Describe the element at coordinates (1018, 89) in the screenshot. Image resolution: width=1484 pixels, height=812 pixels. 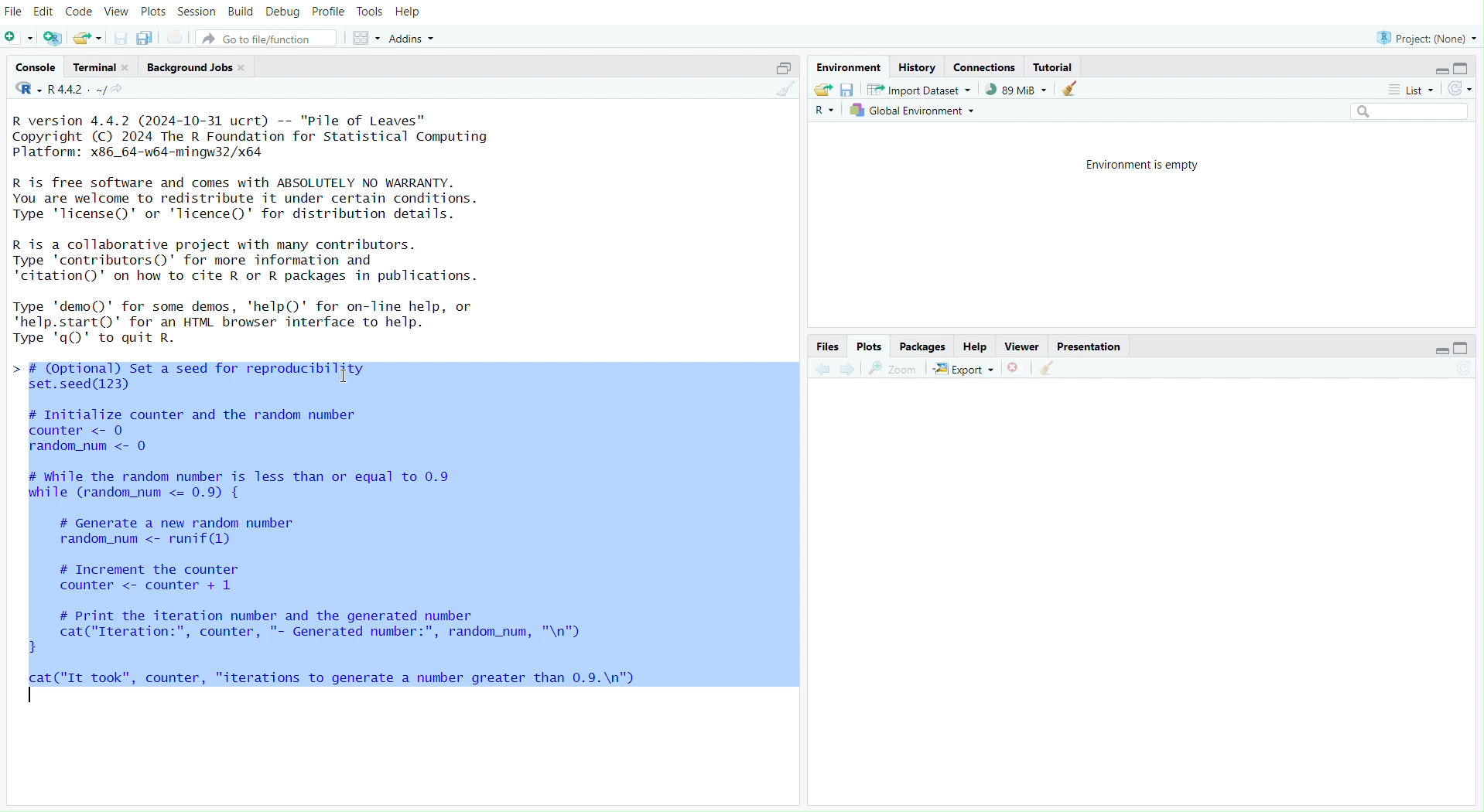
I see `89kib used by R session (Source: Windows System)` at that location.